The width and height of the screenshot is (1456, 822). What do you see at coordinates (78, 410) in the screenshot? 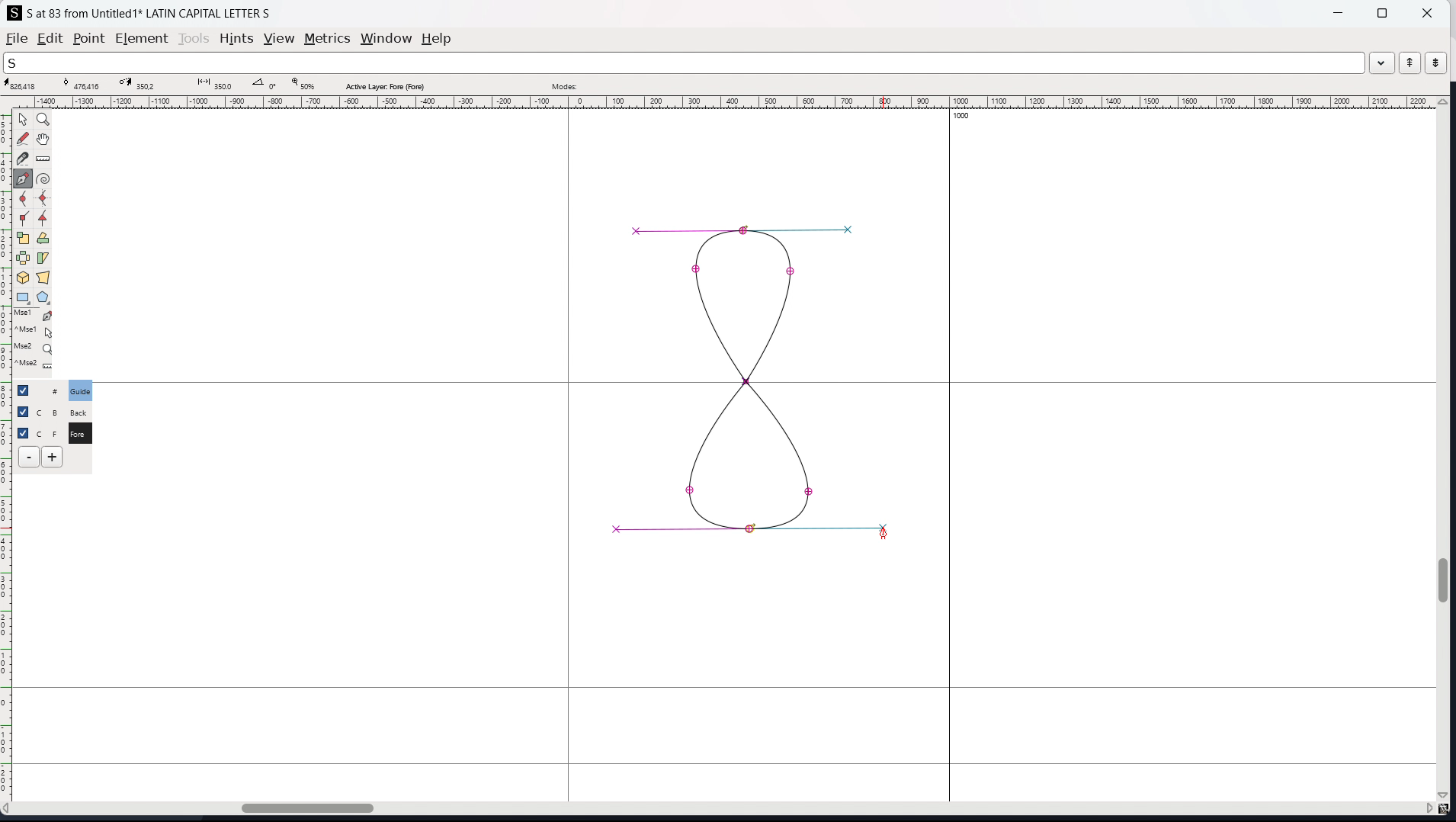
I see `C B Back` at bounding box center [78, 410].